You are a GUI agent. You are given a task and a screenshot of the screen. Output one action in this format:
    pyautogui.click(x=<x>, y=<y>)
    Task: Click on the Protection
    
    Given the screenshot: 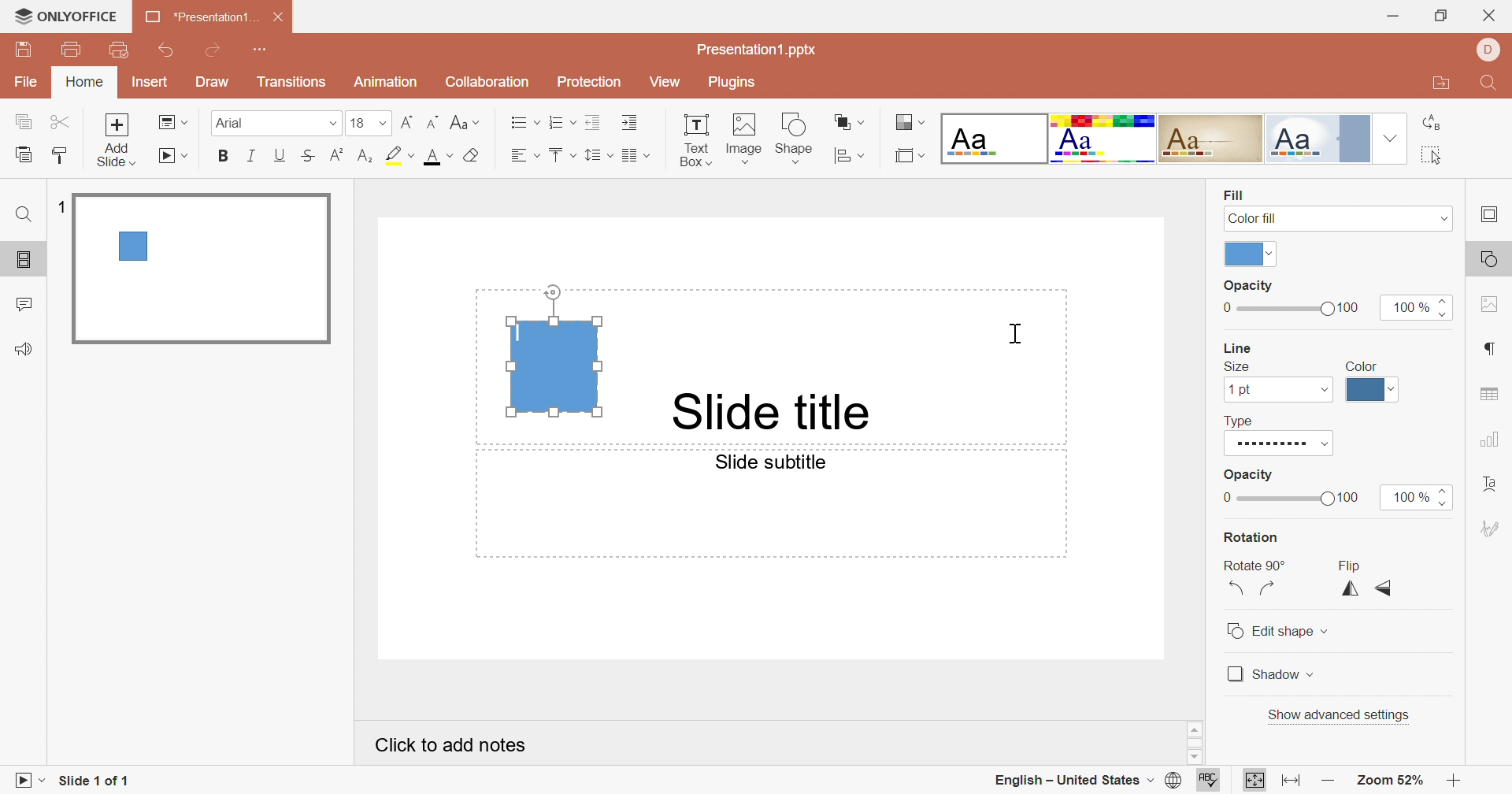 What is the action you would take?
    pyautogui.click(x=592, y=82)
    